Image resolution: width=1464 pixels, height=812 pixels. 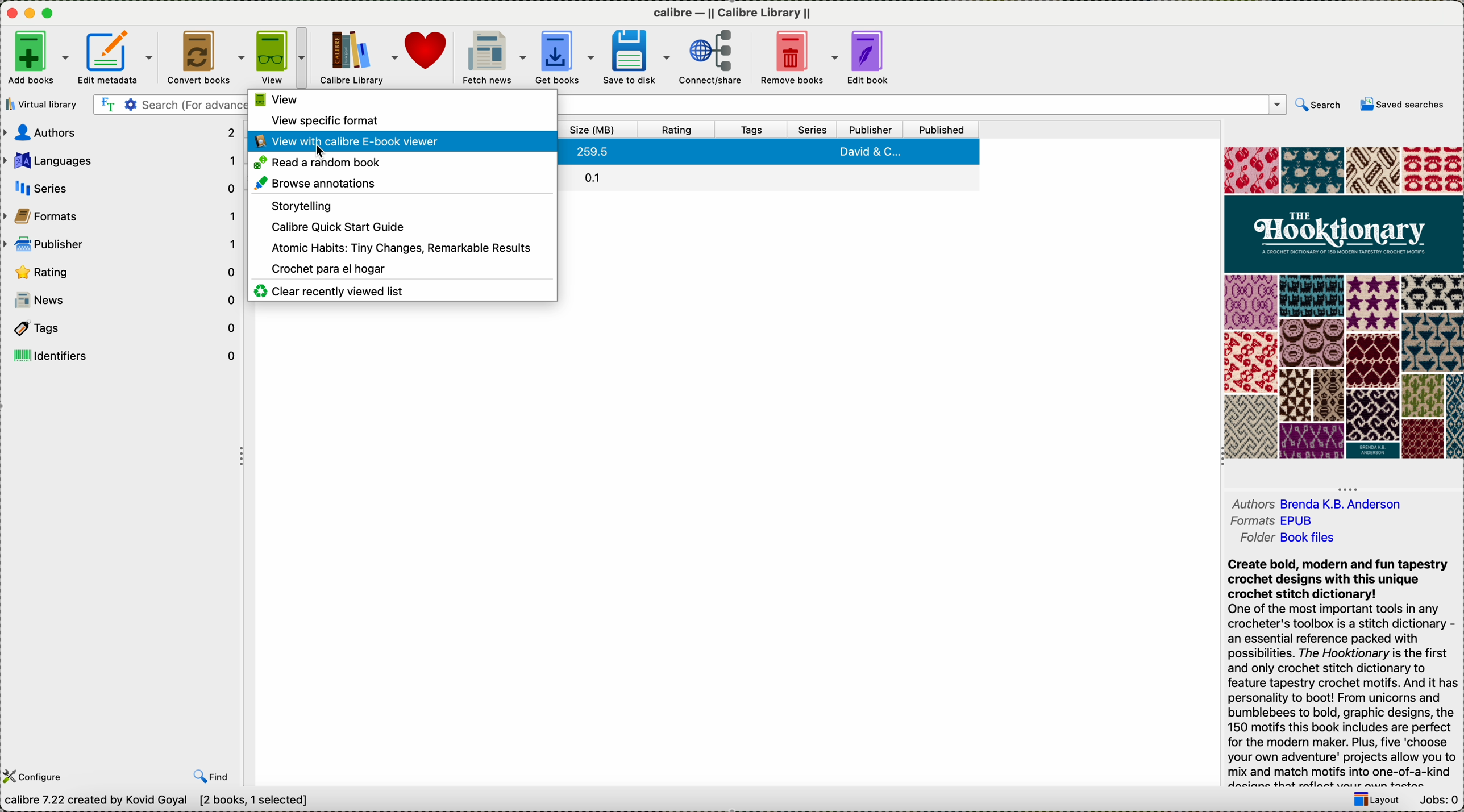 What do you see at coordinates (281, 57) in the screenshot?
I see `click on view options` at bounding box center [281, 57].